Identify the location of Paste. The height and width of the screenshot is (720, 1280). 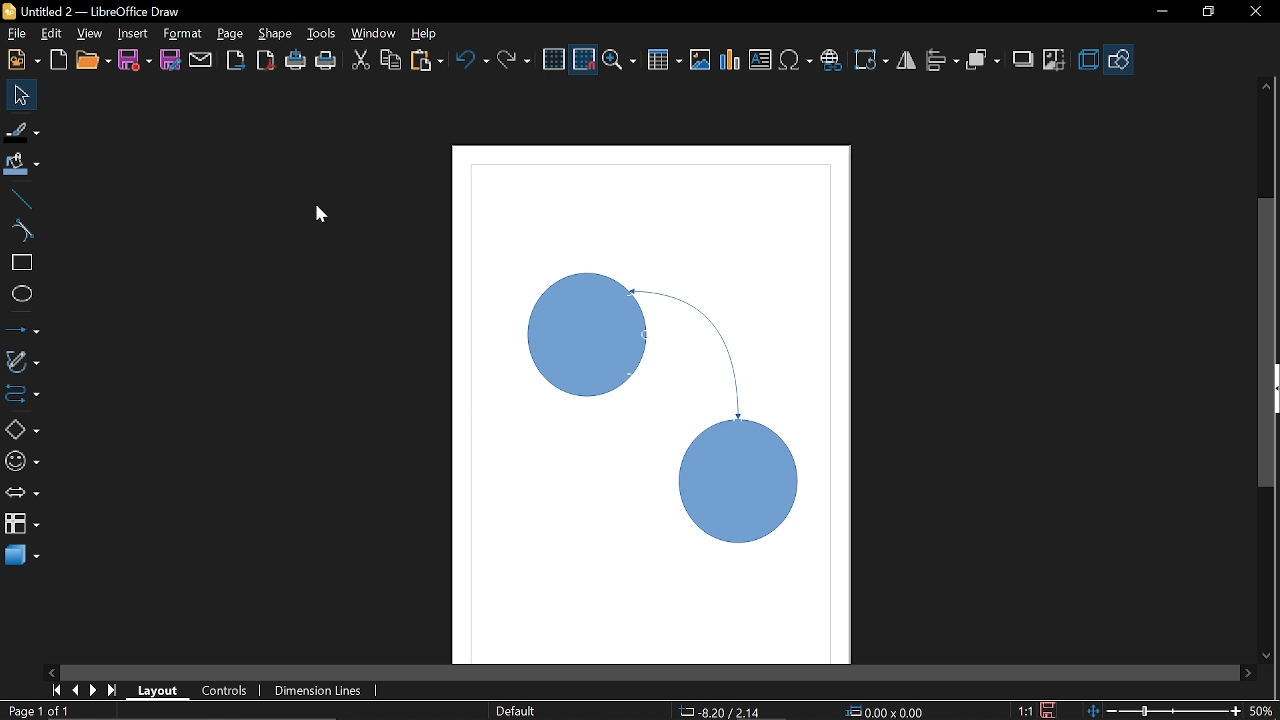
(427, 59).